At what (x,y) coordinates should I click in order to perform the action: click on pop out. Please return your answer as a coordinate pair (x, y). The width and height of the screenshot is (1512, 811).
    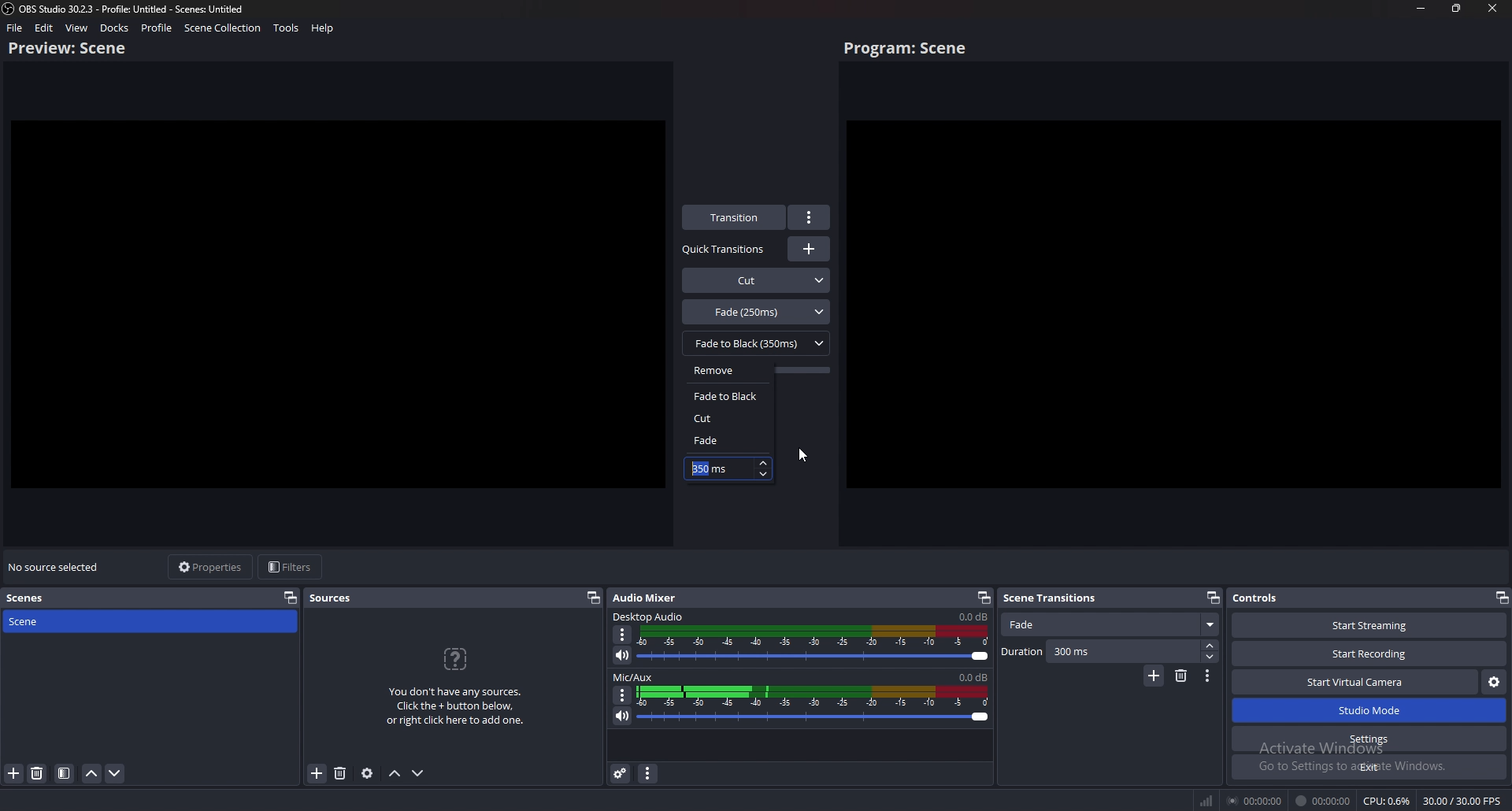
    Looking at the image, I should click on (291, 597).